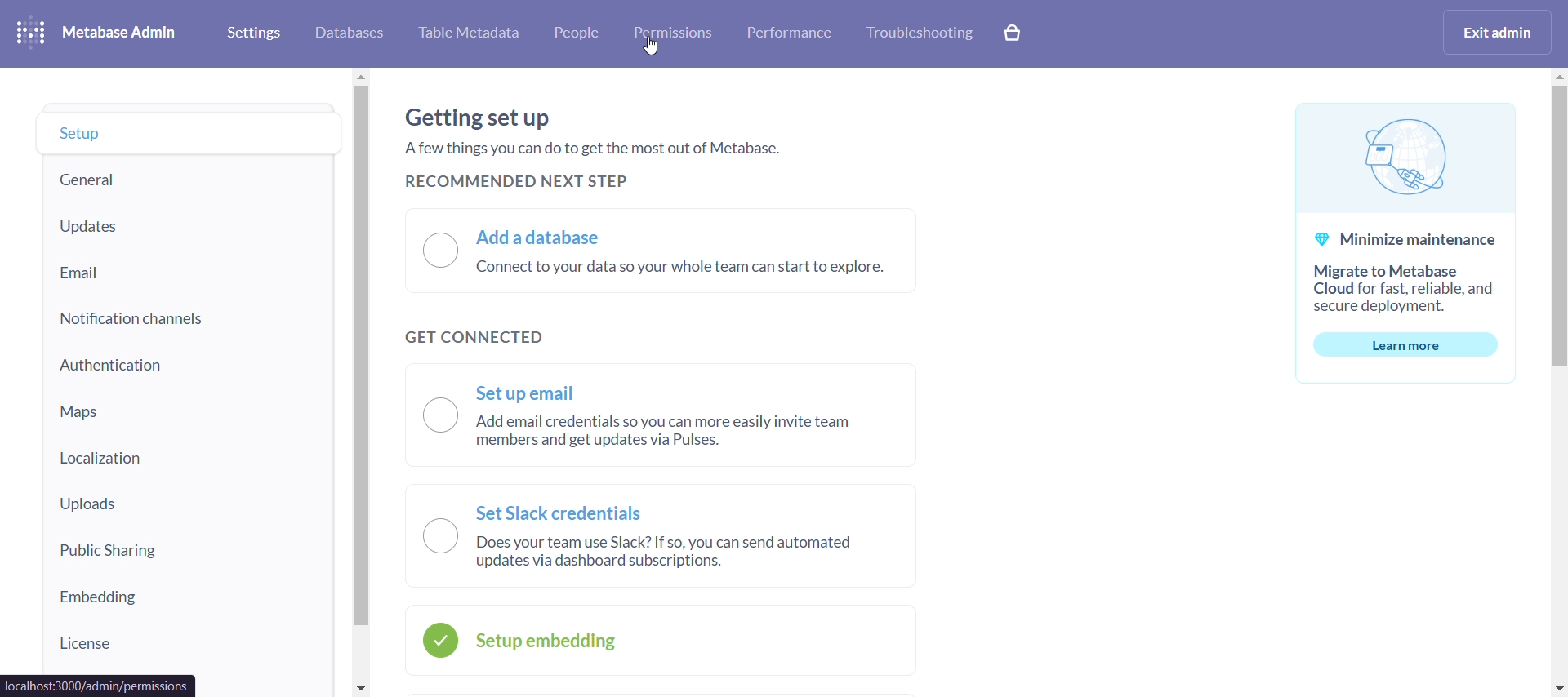 This screenshot has height=697, width=1568. What do you see at coordinates (185, 273) in the screenshot?
I see `email` at bounding box center [185, 273].